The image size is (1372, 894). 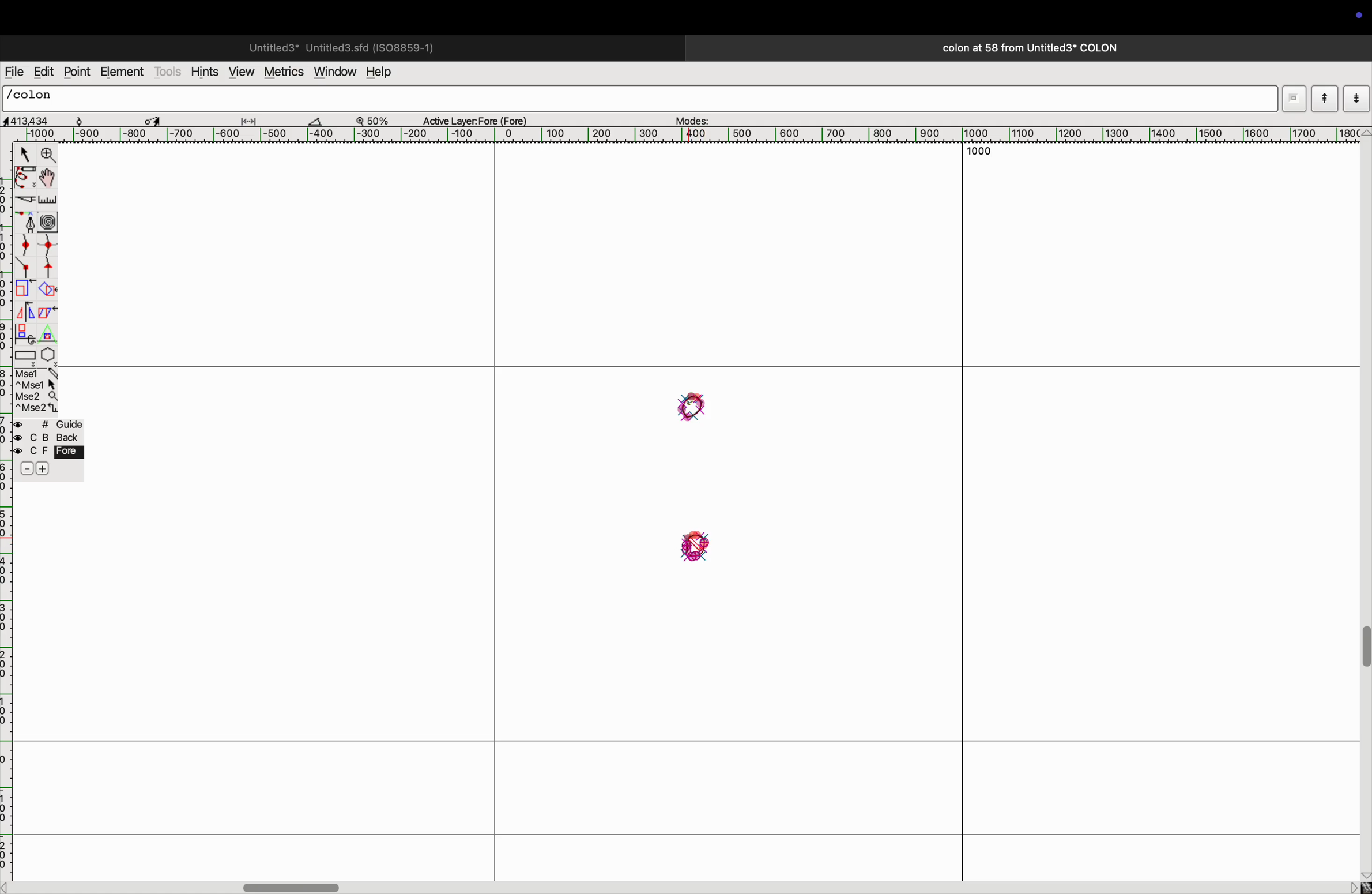 I want to click on circles, so click(x=51, y=220).